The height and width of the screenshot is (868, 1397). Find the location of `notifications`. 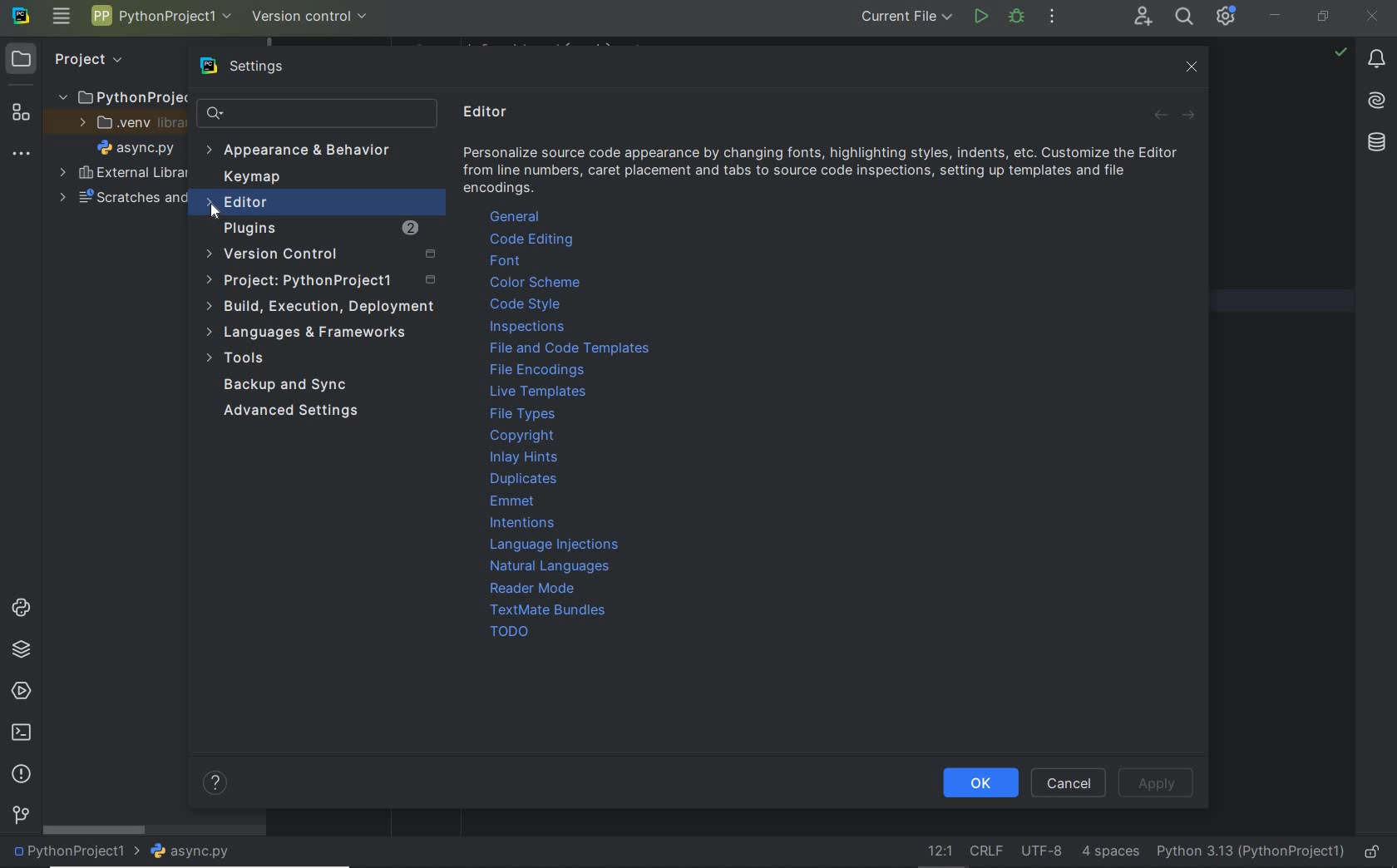

notifications is located at coordinates (1378, 62).